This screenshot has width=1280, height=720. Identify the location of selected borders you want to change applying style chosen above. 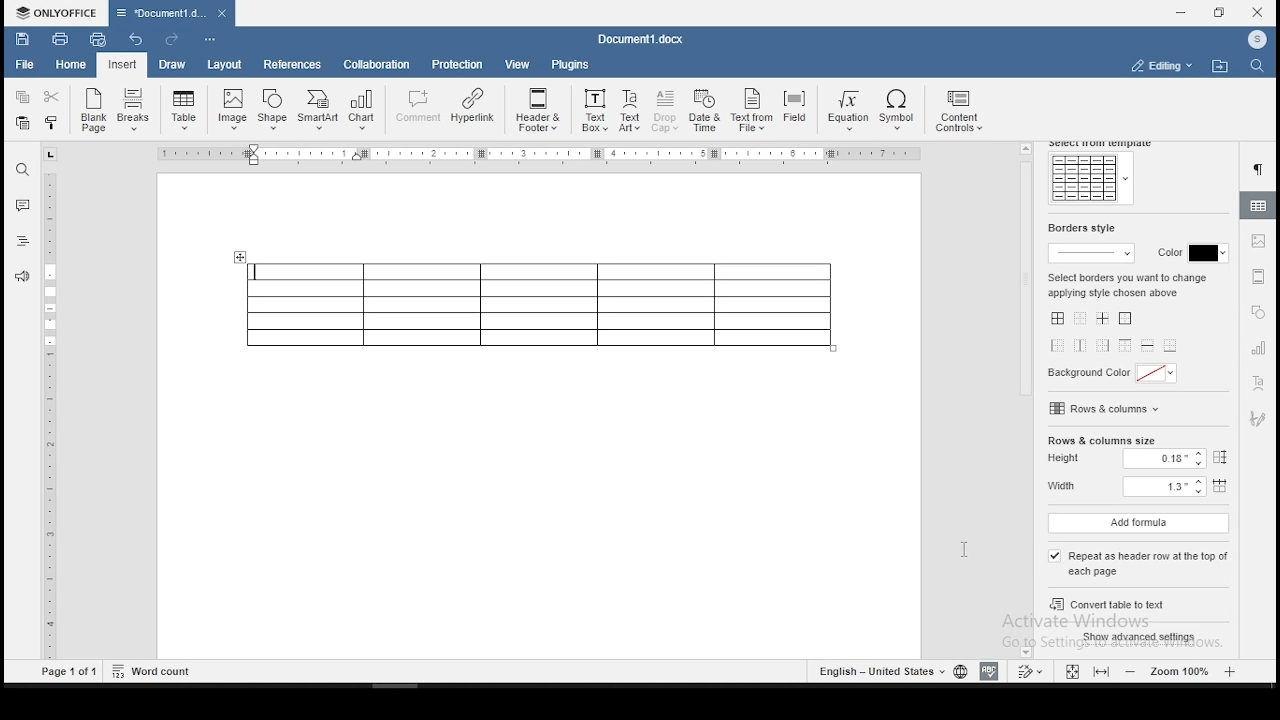
(1128, 283).